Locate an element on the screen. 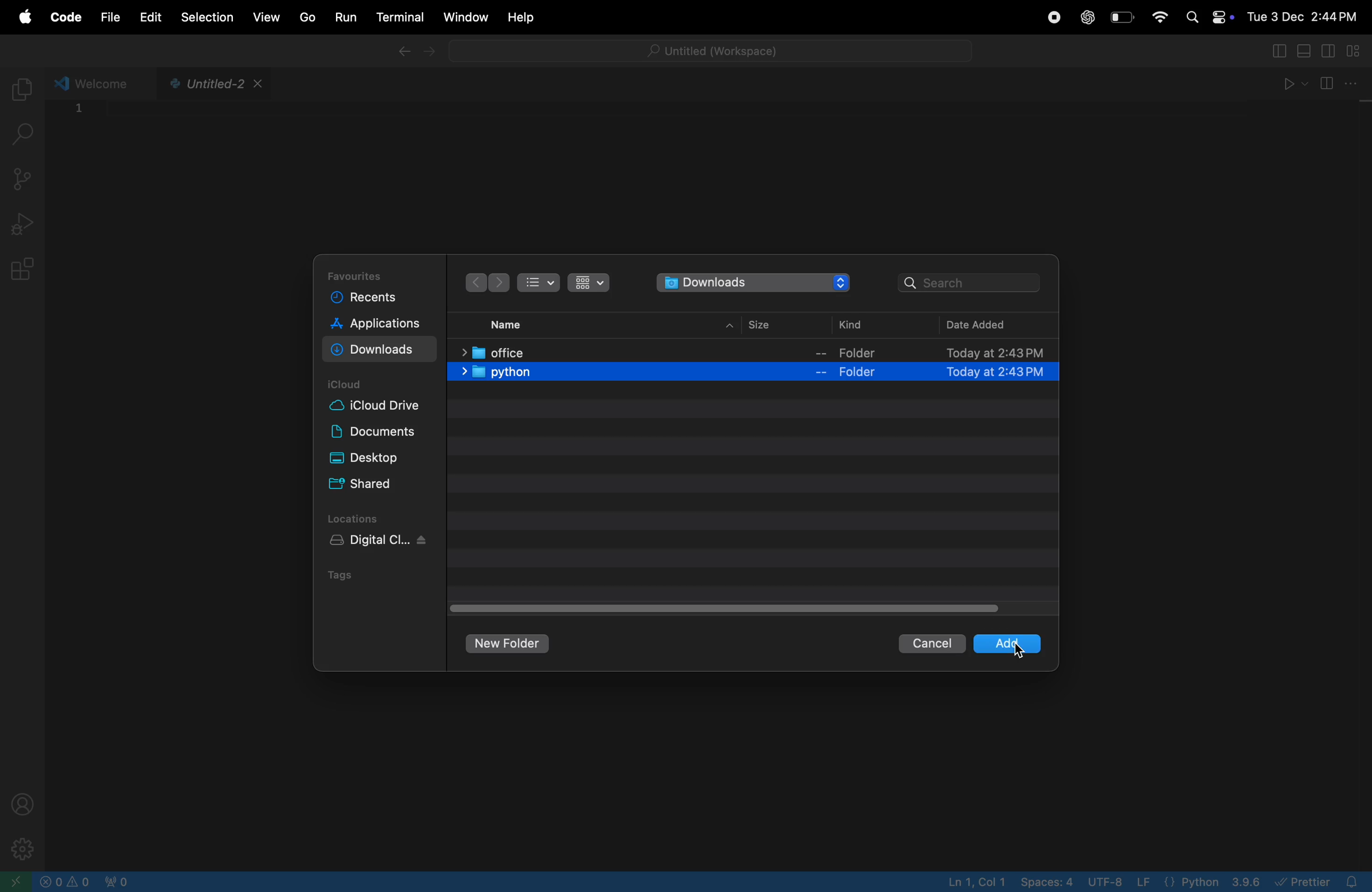 The height and width of the screenshot is (892, 1372). help is located at coordinates (520, 17).